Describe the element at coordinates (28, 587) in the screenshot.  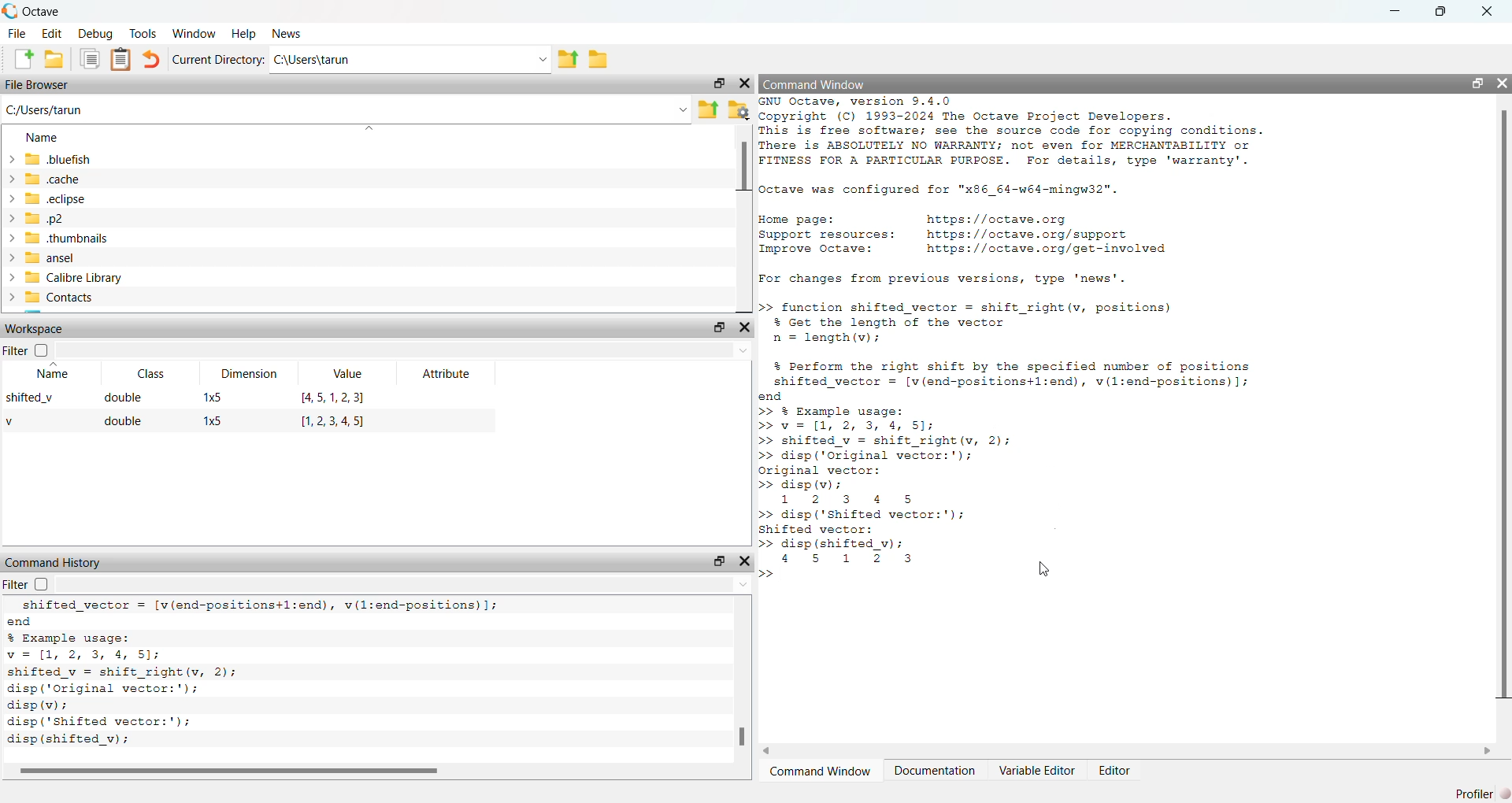
I see `filter` at that location.